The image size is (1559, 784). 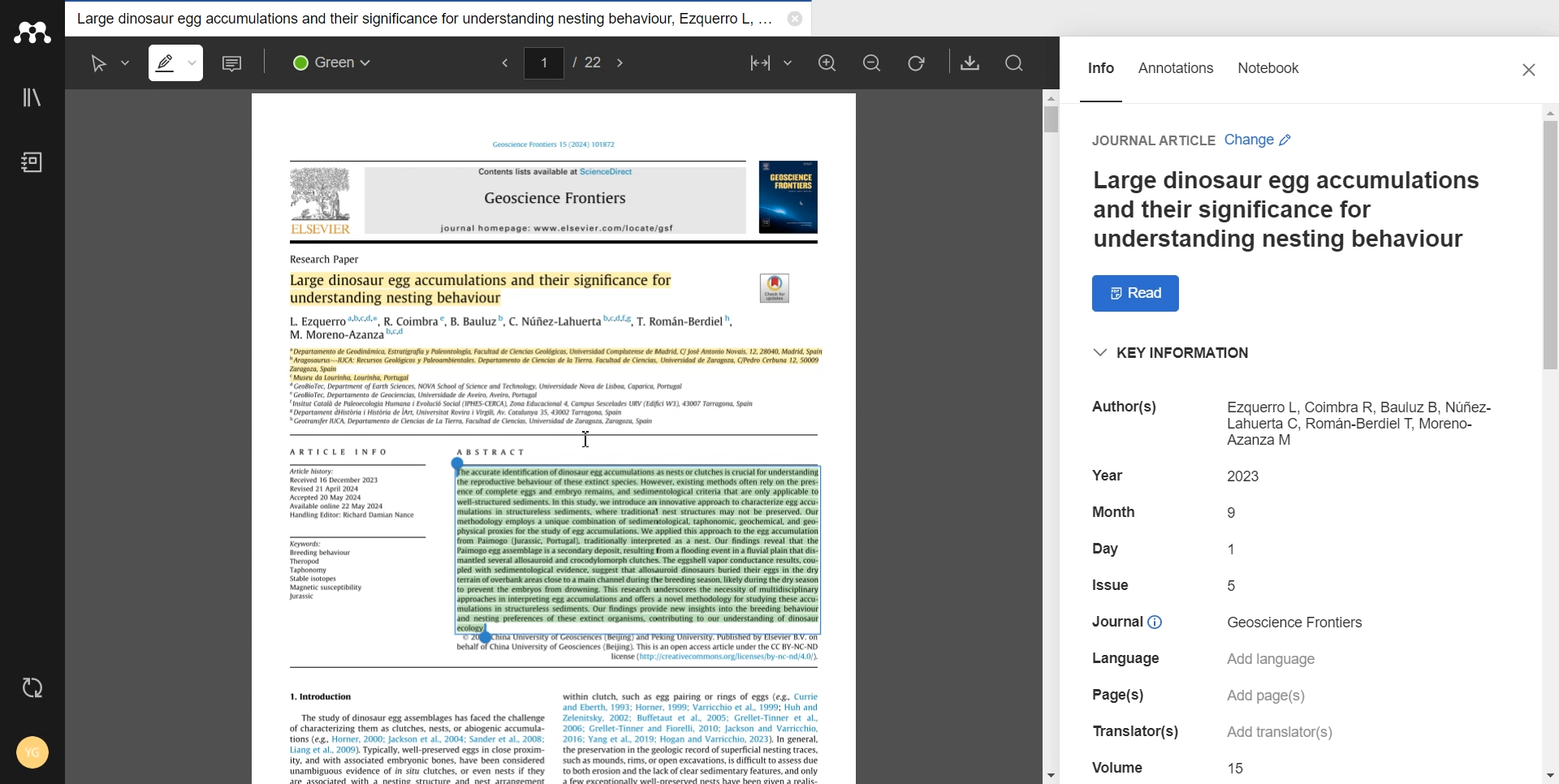 I want to click on text, so click(x=1128, y=731).